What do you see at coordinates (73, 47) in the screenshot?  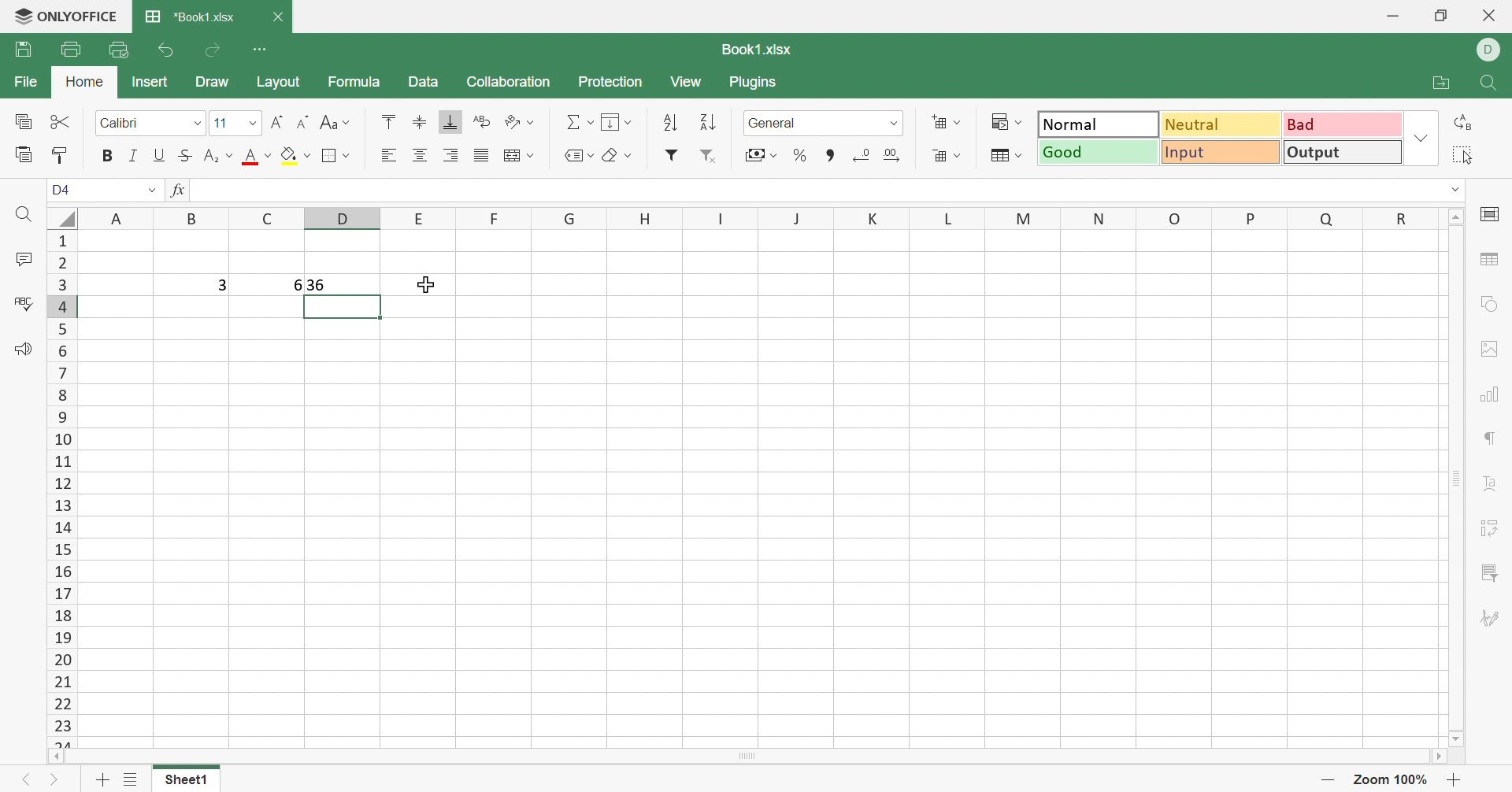 I see `Print file` at bounding box center [73, 47].